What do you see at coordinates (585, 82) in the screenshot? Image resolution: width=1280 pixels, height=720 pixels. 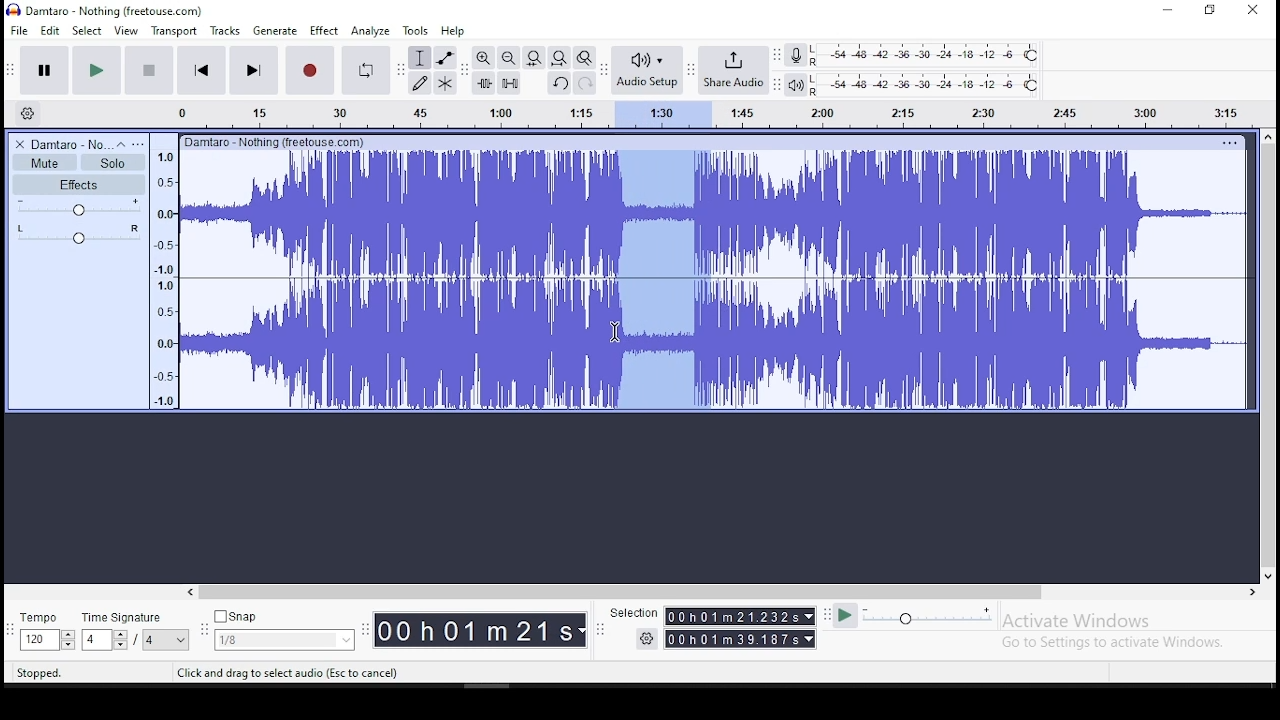 I see `redo` at bounding box center [585, 82].